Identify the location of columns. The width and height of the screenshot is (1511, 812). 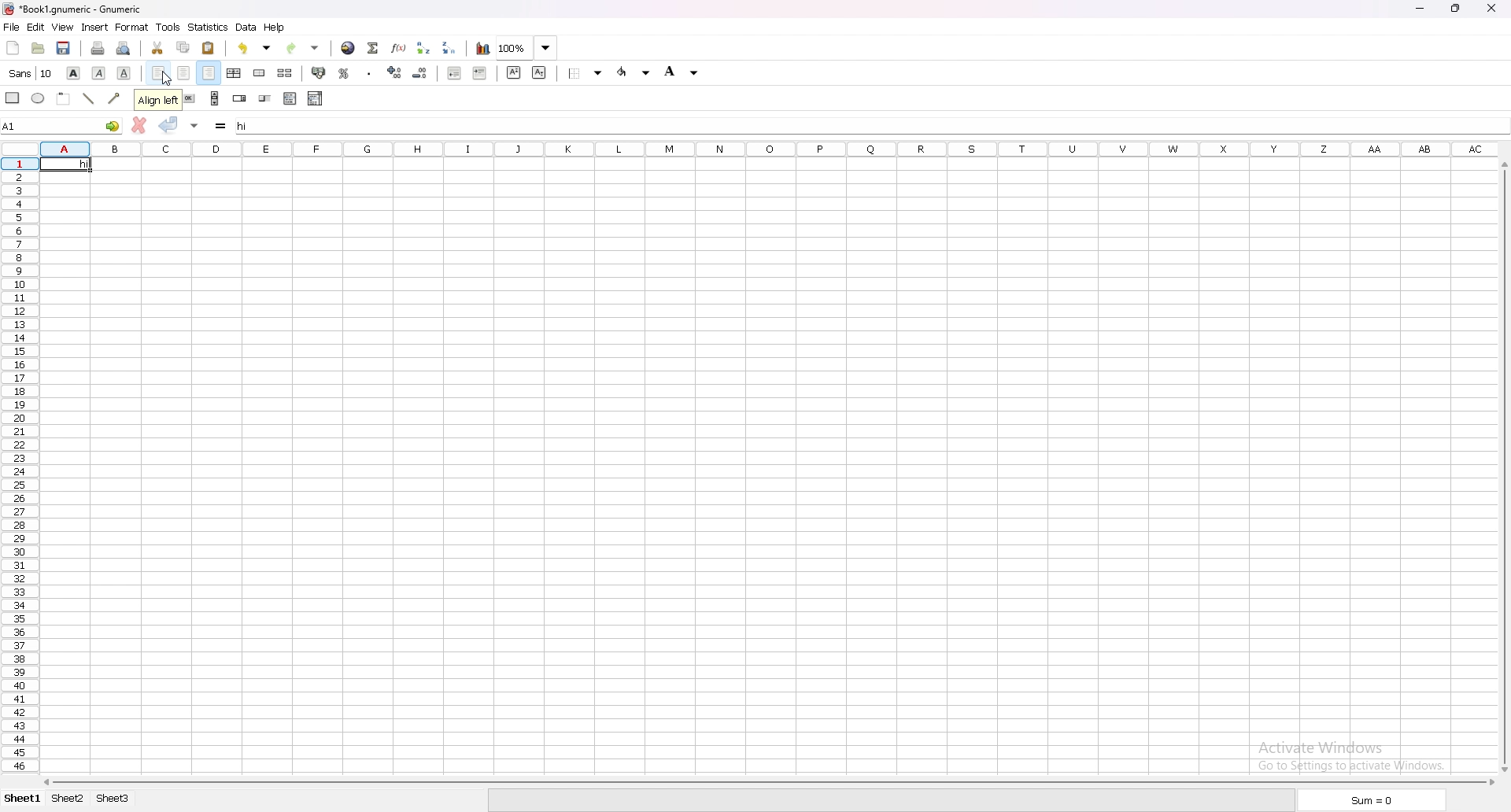
(771, 147).